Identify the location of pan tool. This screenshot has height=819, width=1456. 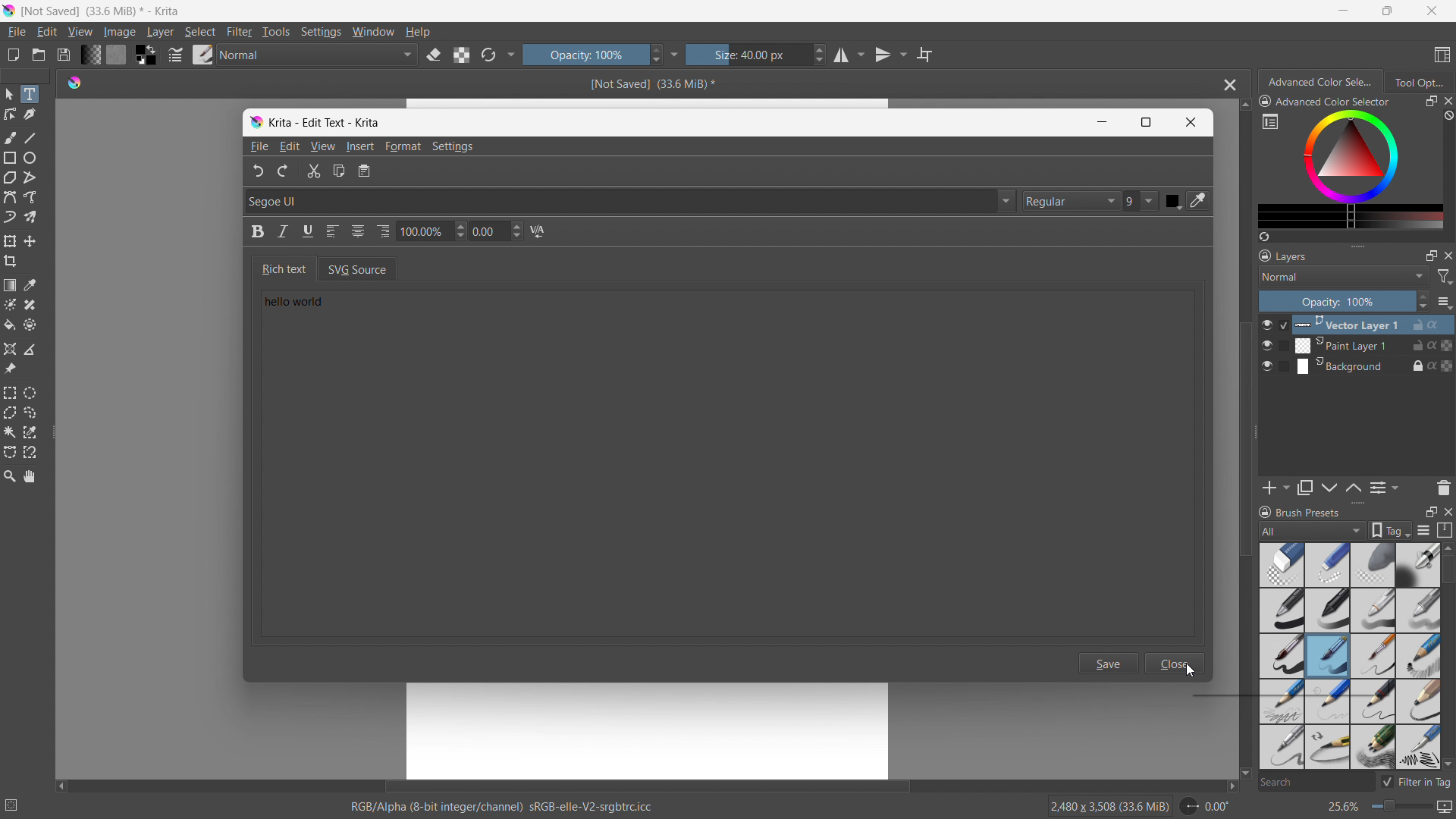
(30, 476).